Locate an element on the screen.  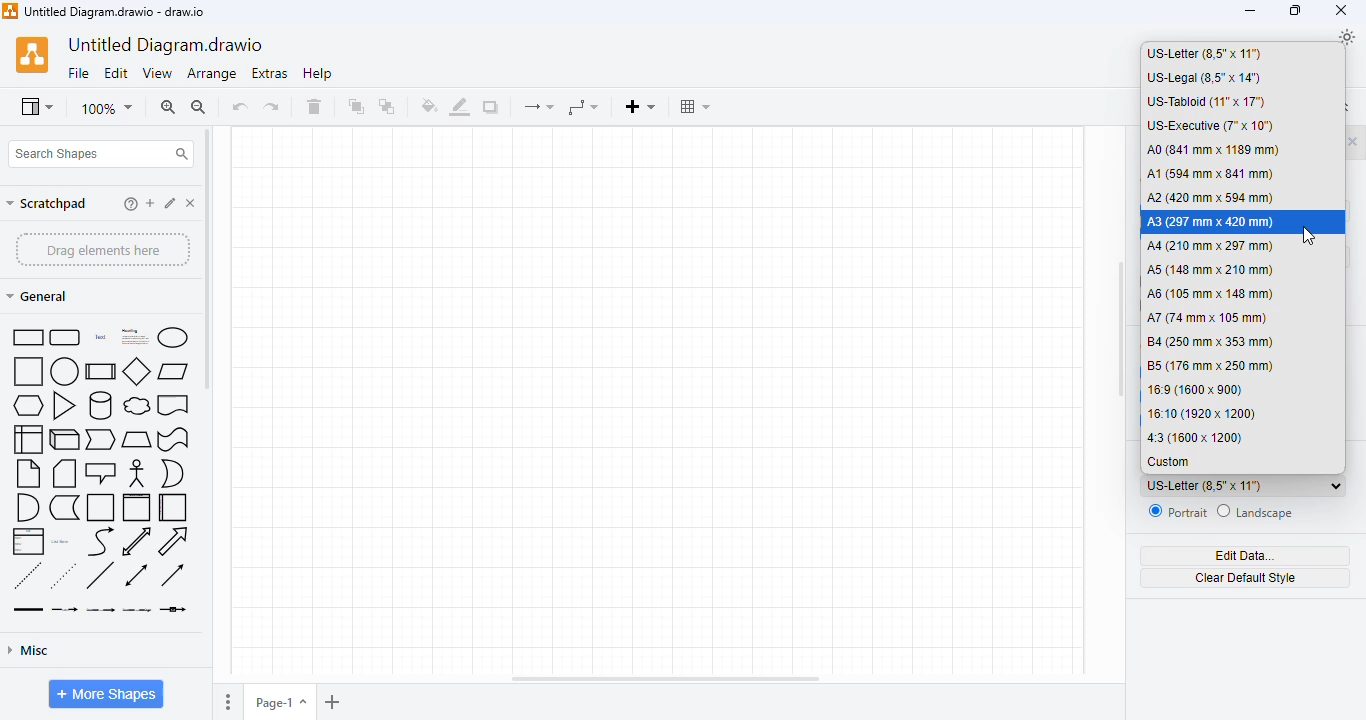
shadow is located at coordinates (490, 106).